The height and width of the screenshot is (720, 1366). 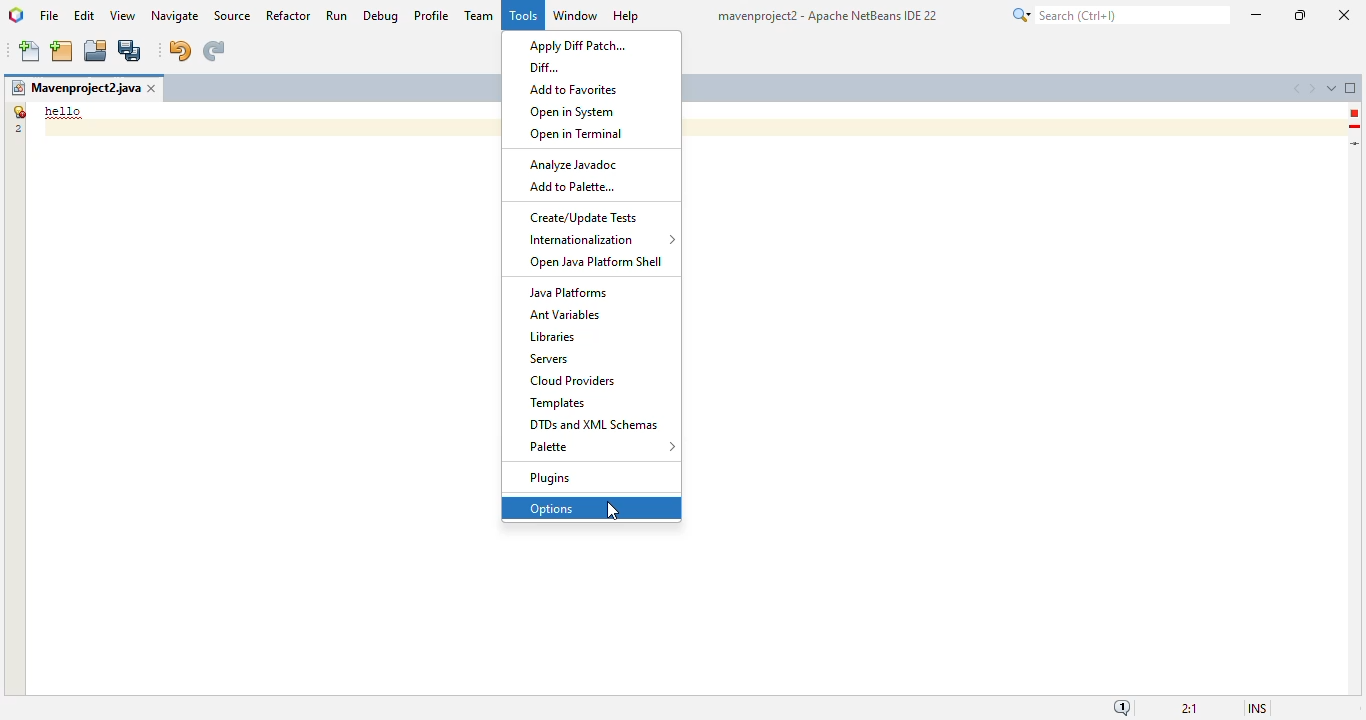 What do you see at coordinates (64, 111) in the screenshot?
I see `demo text` at bounding box center [64, 111].